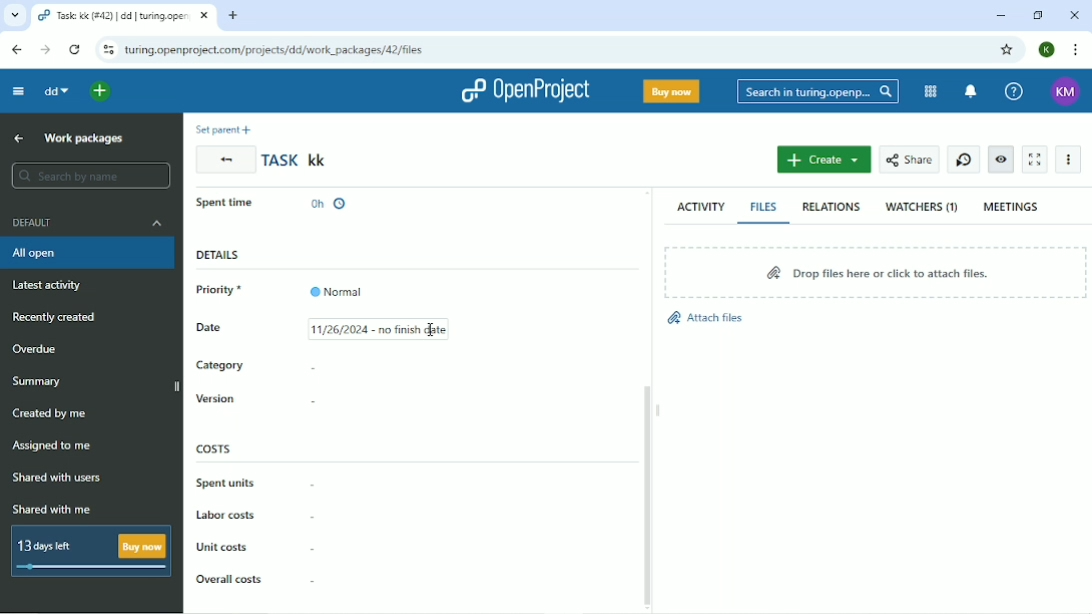 Image resolution: width=1092 pixels, height=614 pixels. What do you see at coordinates (214, 398) in the screenshot?
I see `Version` at bounding box center [214, 398].